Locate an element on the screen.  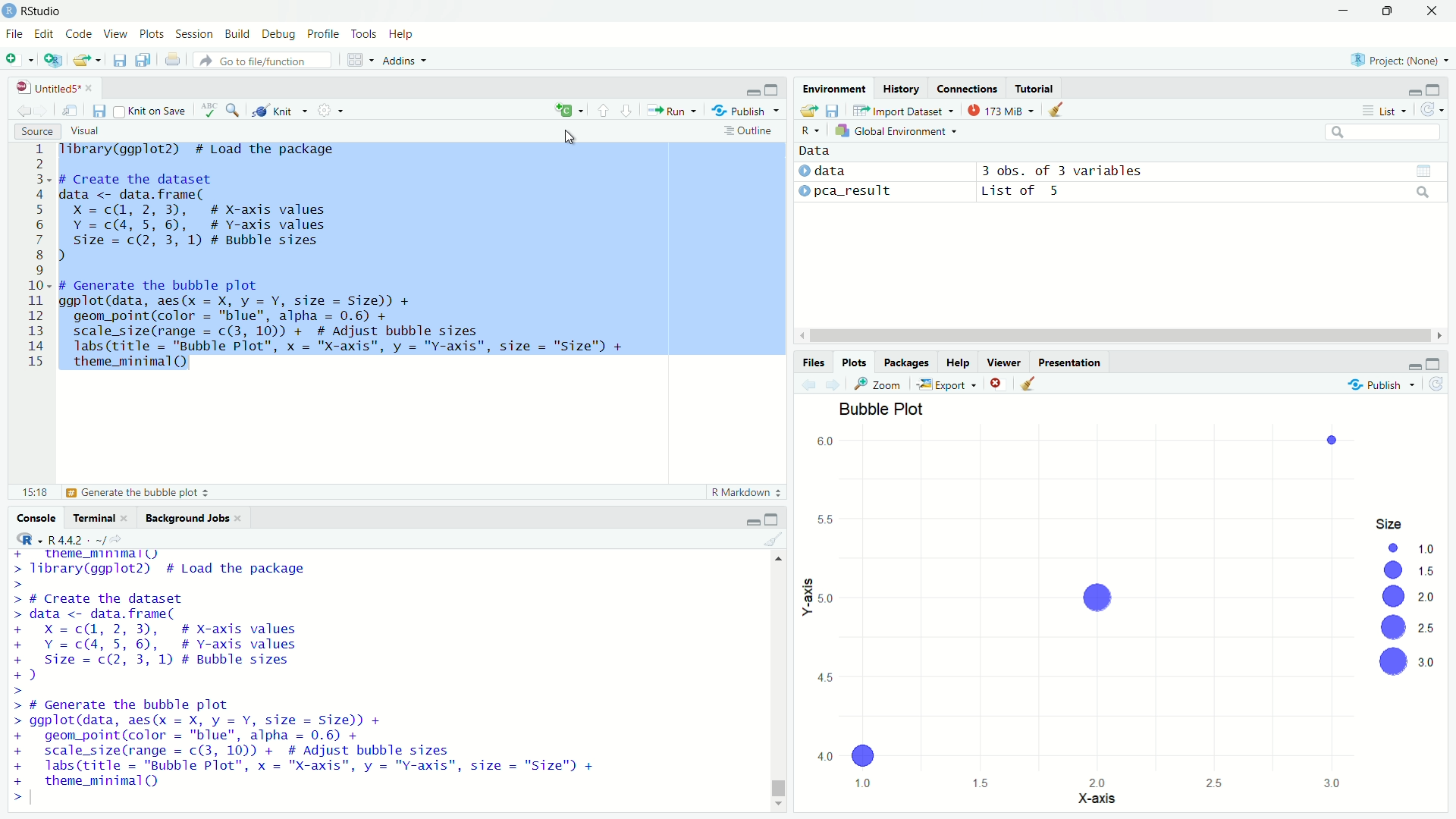
File is located at coordinates (15, 34).